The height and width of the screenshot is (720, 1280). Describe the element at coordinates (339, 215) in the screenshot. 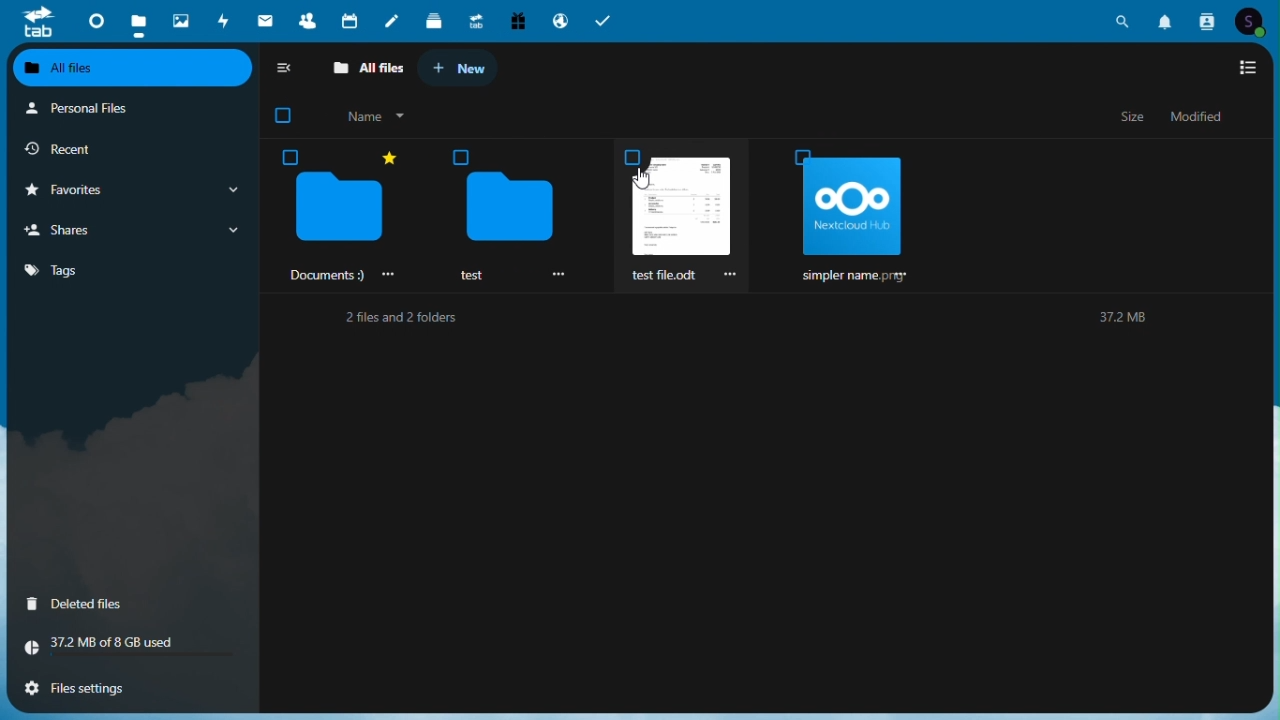

I see `‘Documents :)` at that location.